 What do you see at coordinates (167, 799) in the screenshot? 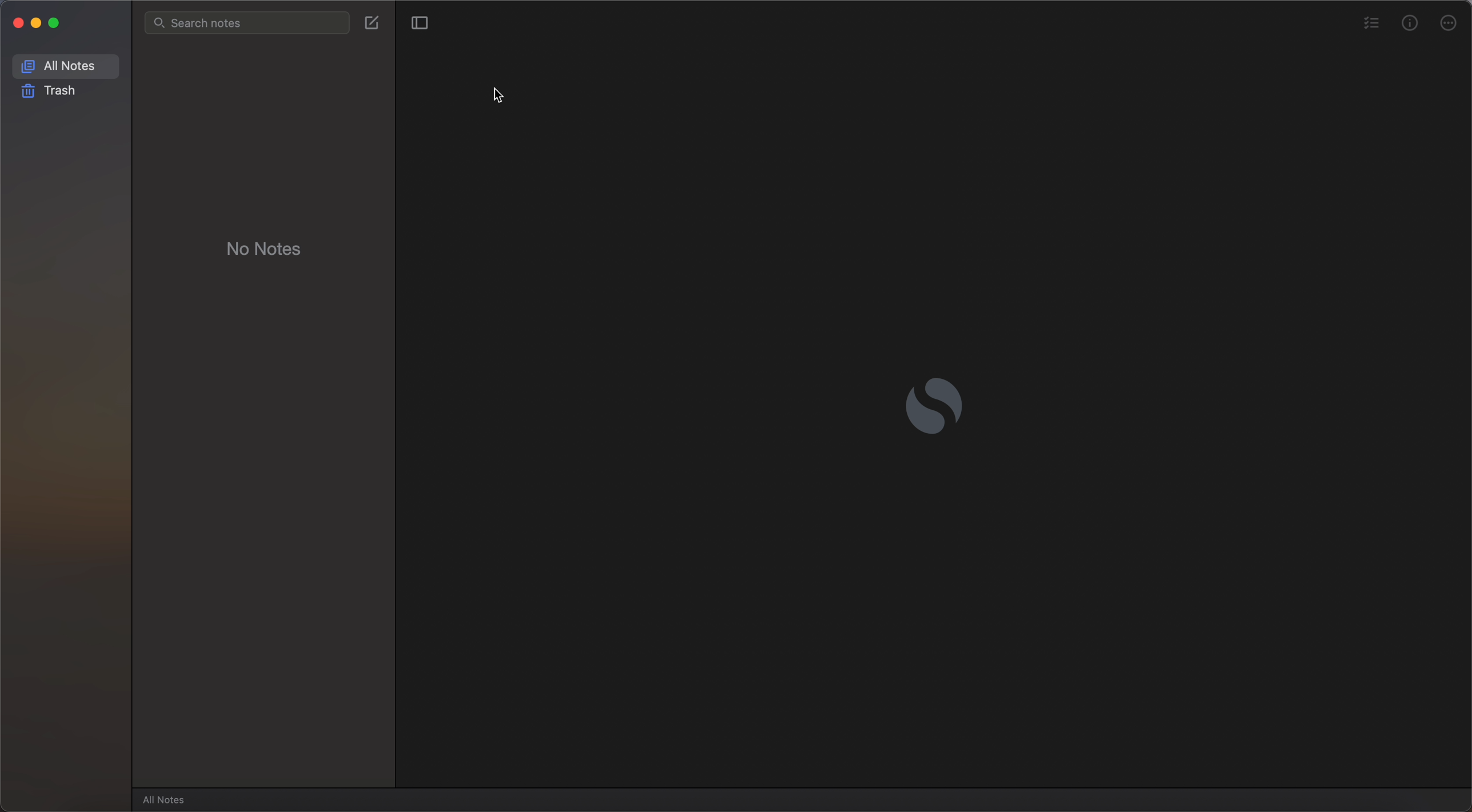
I see `all notes` at bounding box center [167, 799].